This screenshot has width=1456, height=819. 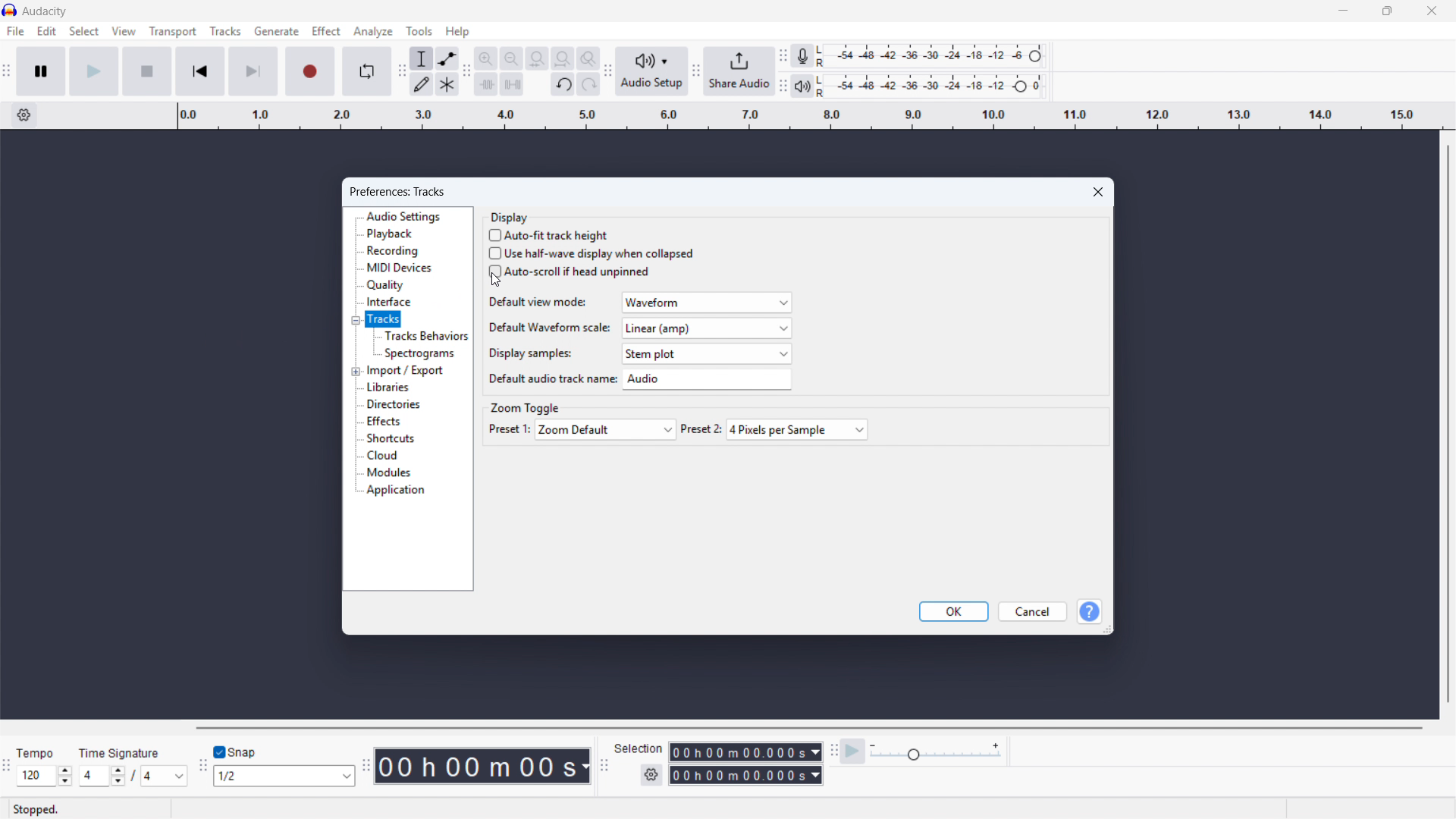 What do you see at coordinates (325, 30) in the screenshot?
I see `effect` at bounding box center [325, 30].